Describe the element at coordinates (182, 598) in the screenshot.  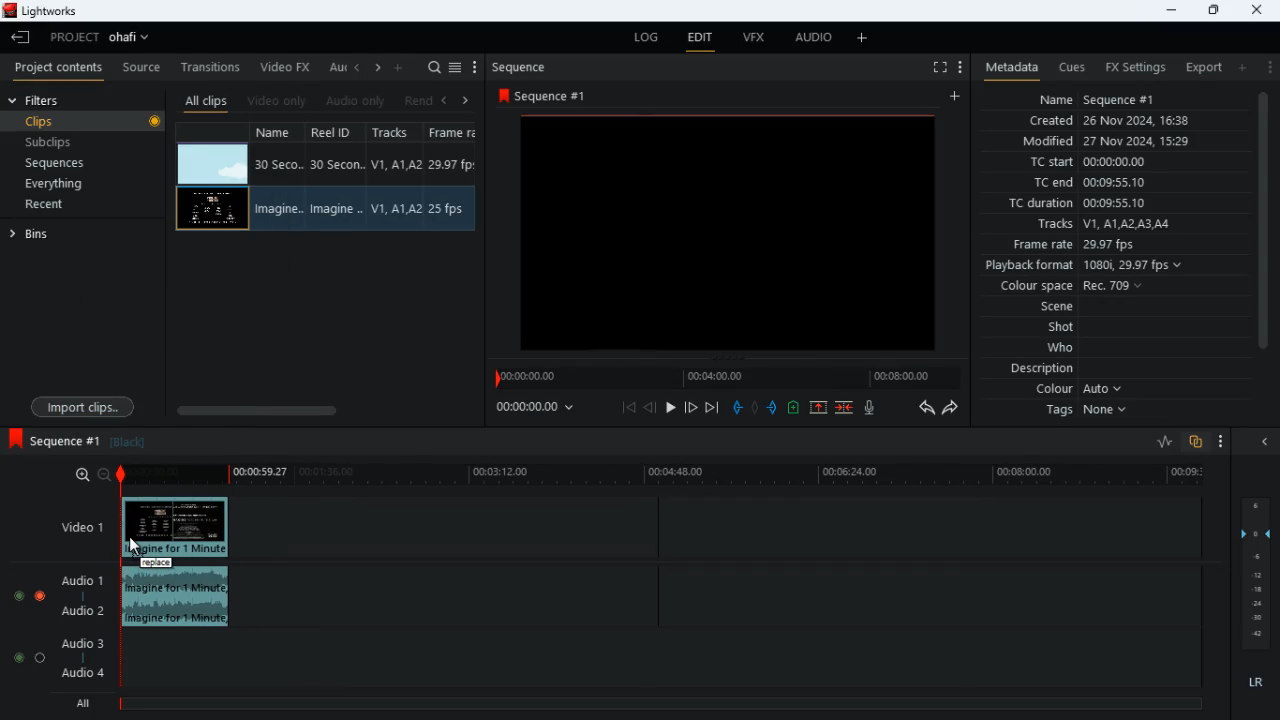
I see `audio` at that location.